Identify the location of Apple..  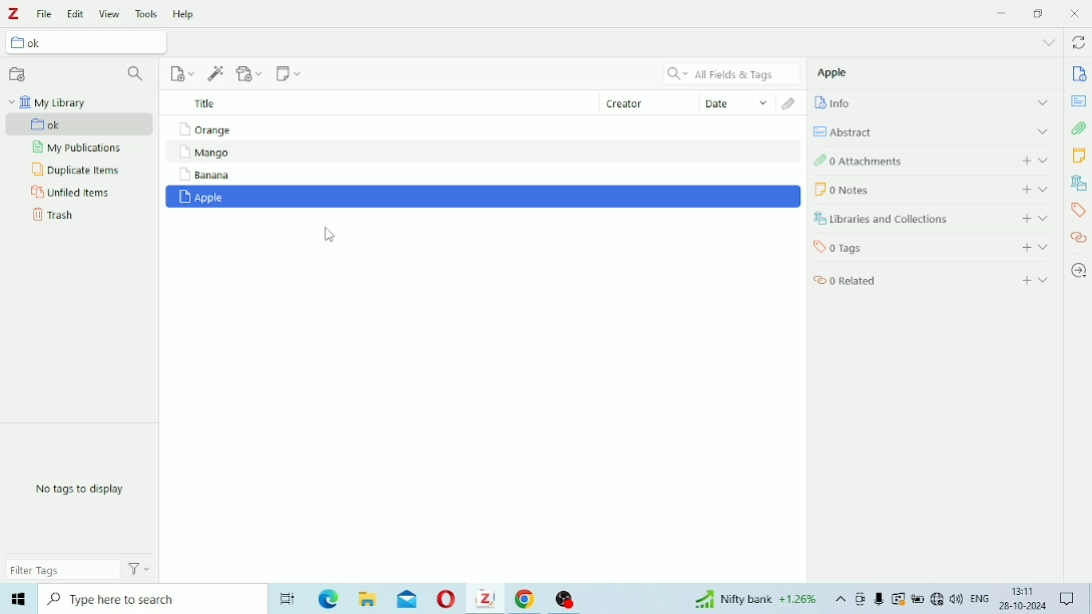
(839, 75).